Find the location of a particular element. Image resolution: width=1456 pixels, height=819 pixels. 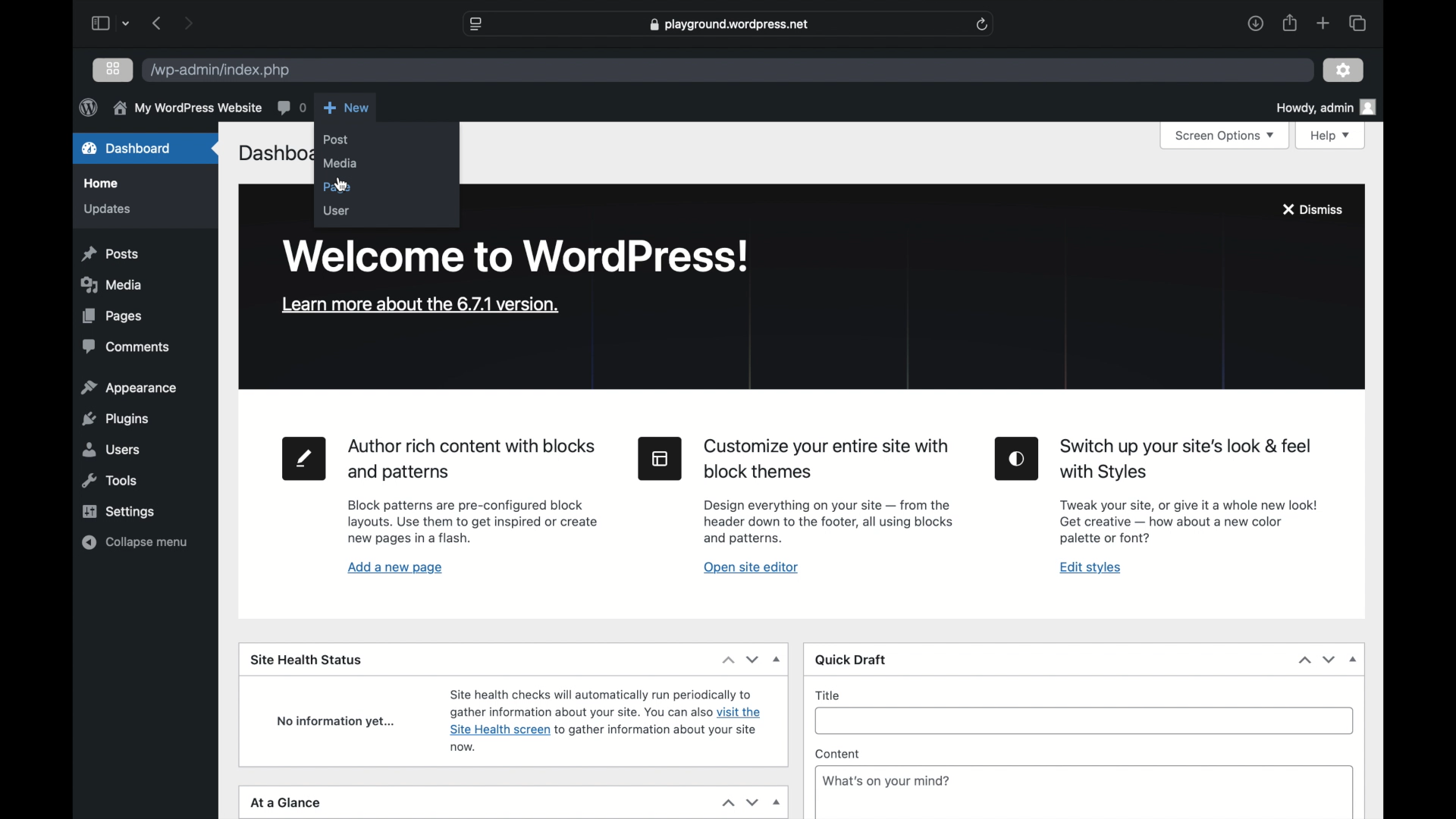

Page tool information is located at coordinates (473, 522).